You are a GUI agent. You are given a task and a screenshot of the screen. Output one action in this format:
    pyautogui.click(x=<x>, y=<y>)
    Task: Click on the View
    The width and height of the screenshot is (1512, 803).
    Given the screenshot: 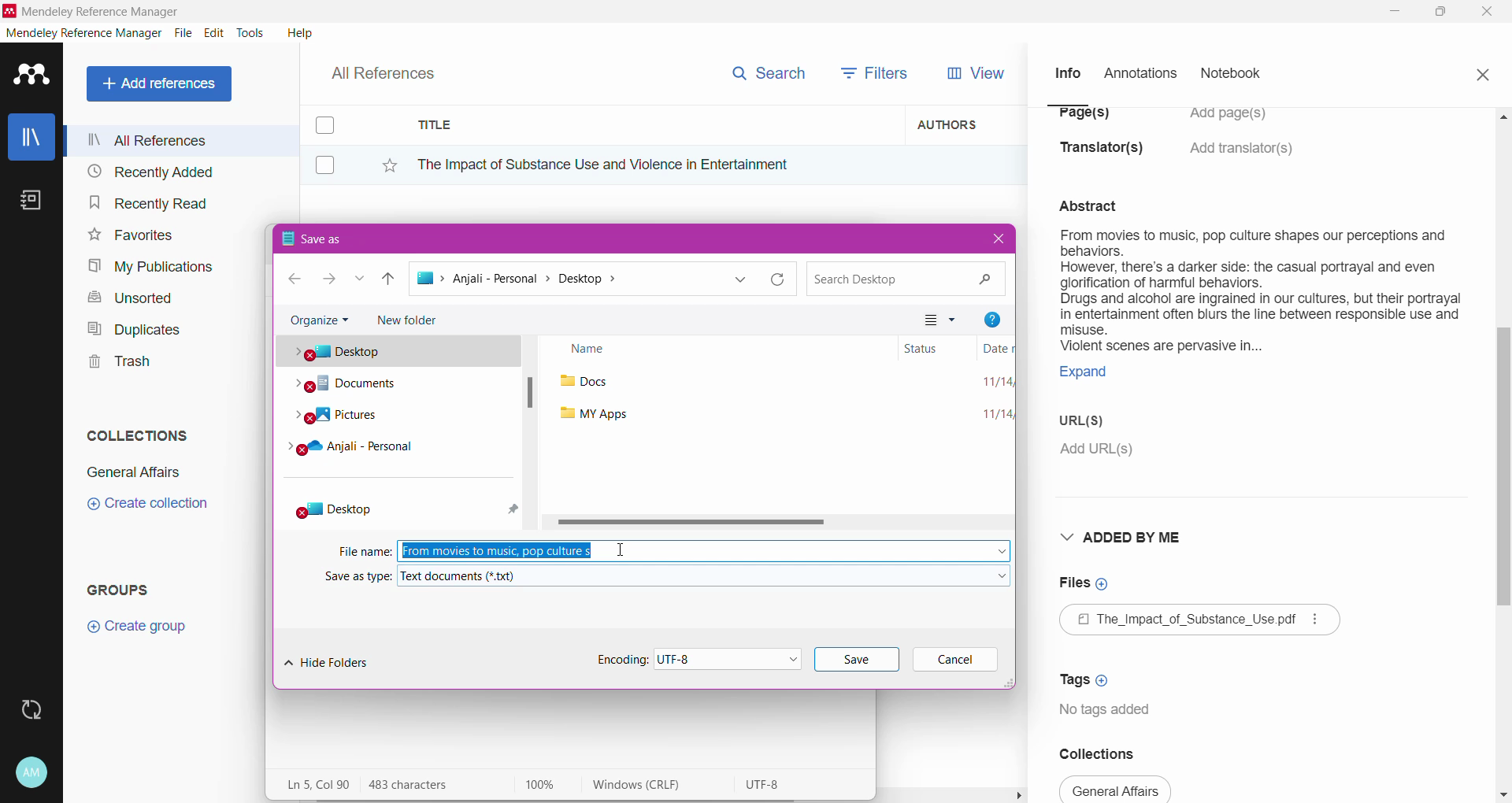 What is the action you would take?
    pyautogui.click(x=973, y=73)
    